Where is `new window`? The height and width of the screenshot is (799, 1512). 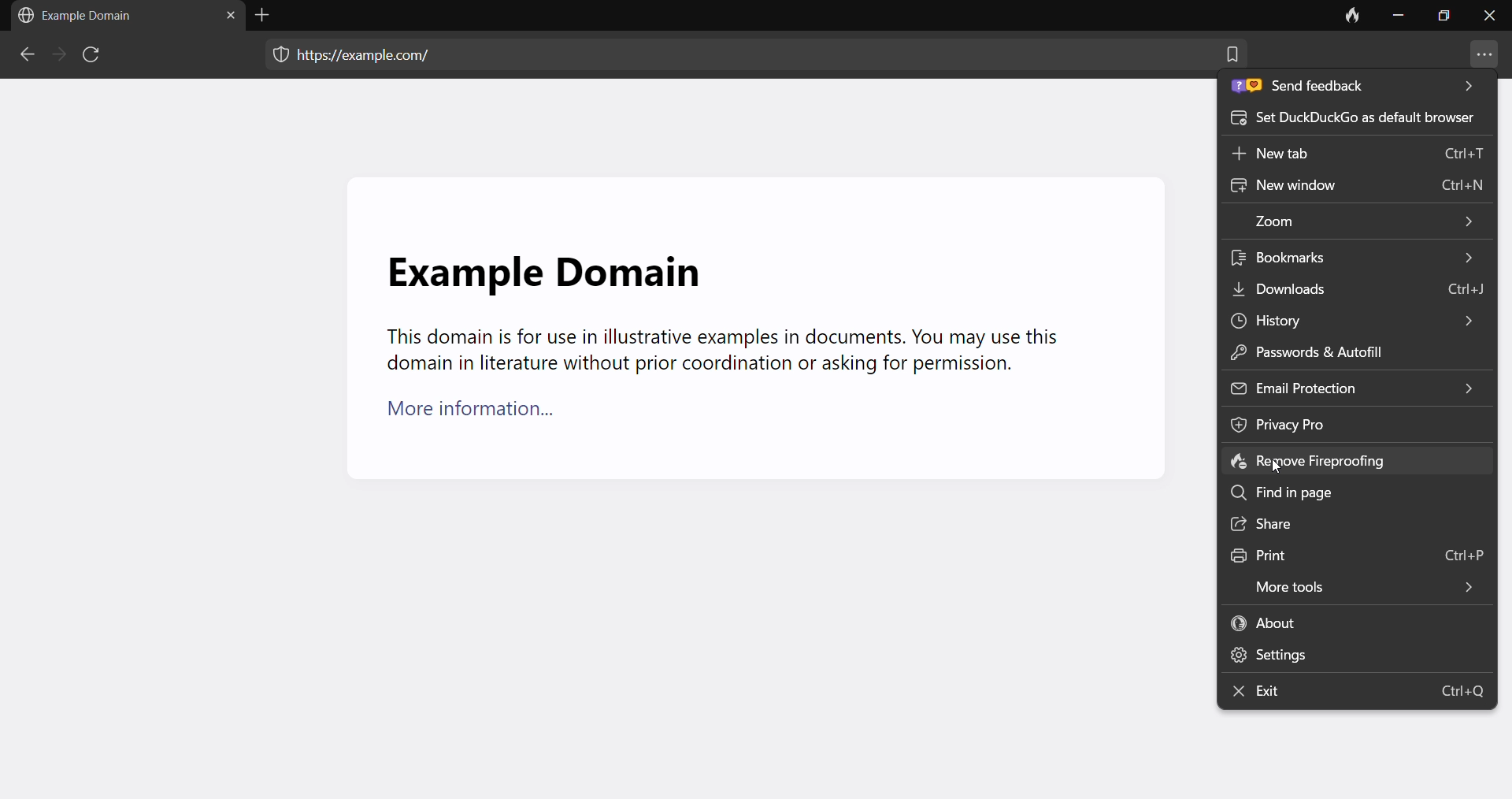
new window is located at coordinates (1357, 188).